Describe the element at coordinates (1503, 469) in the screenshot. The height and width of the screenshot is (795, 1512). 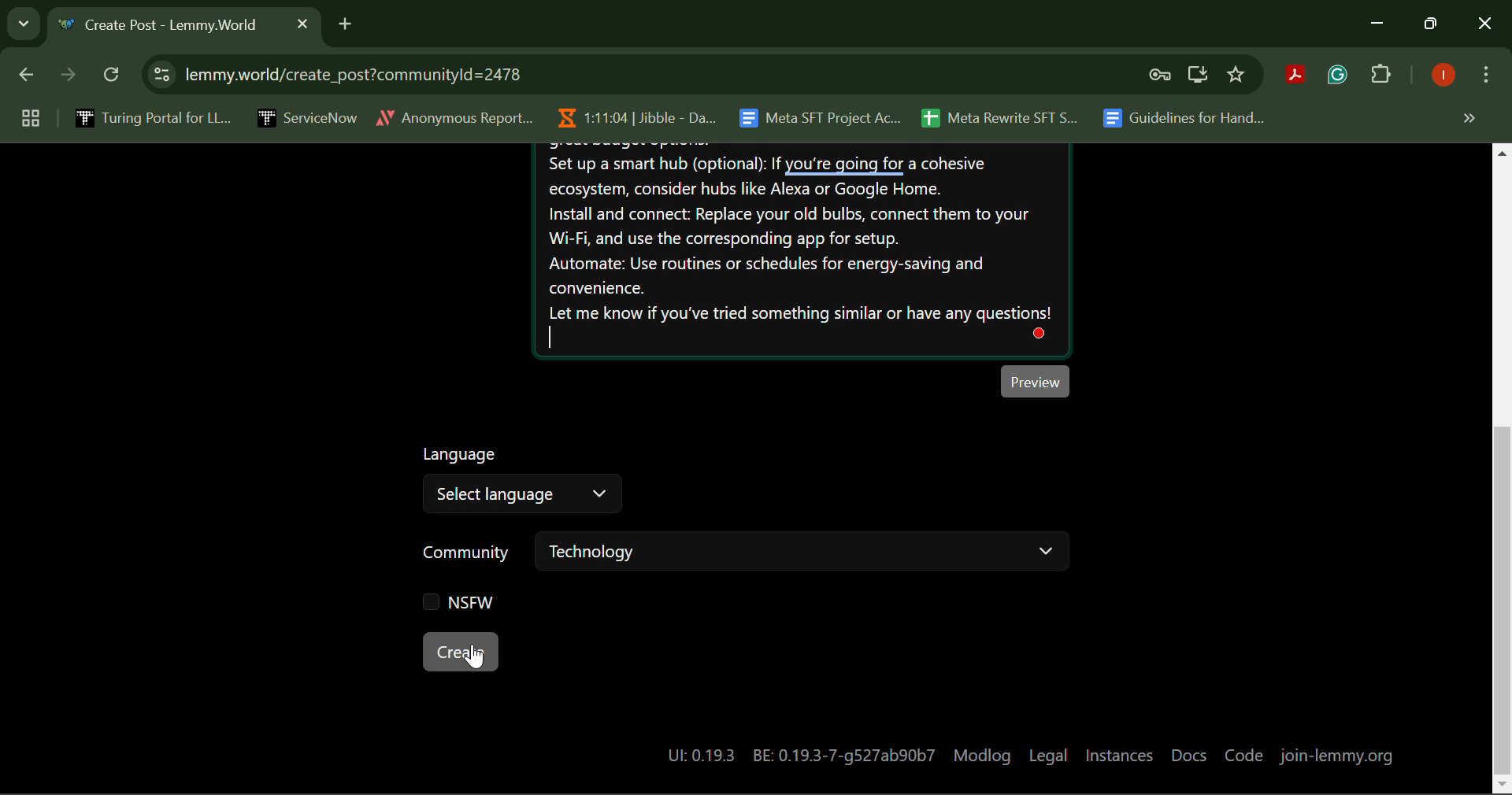
I see `Vertical Scroll Bar` at that location.